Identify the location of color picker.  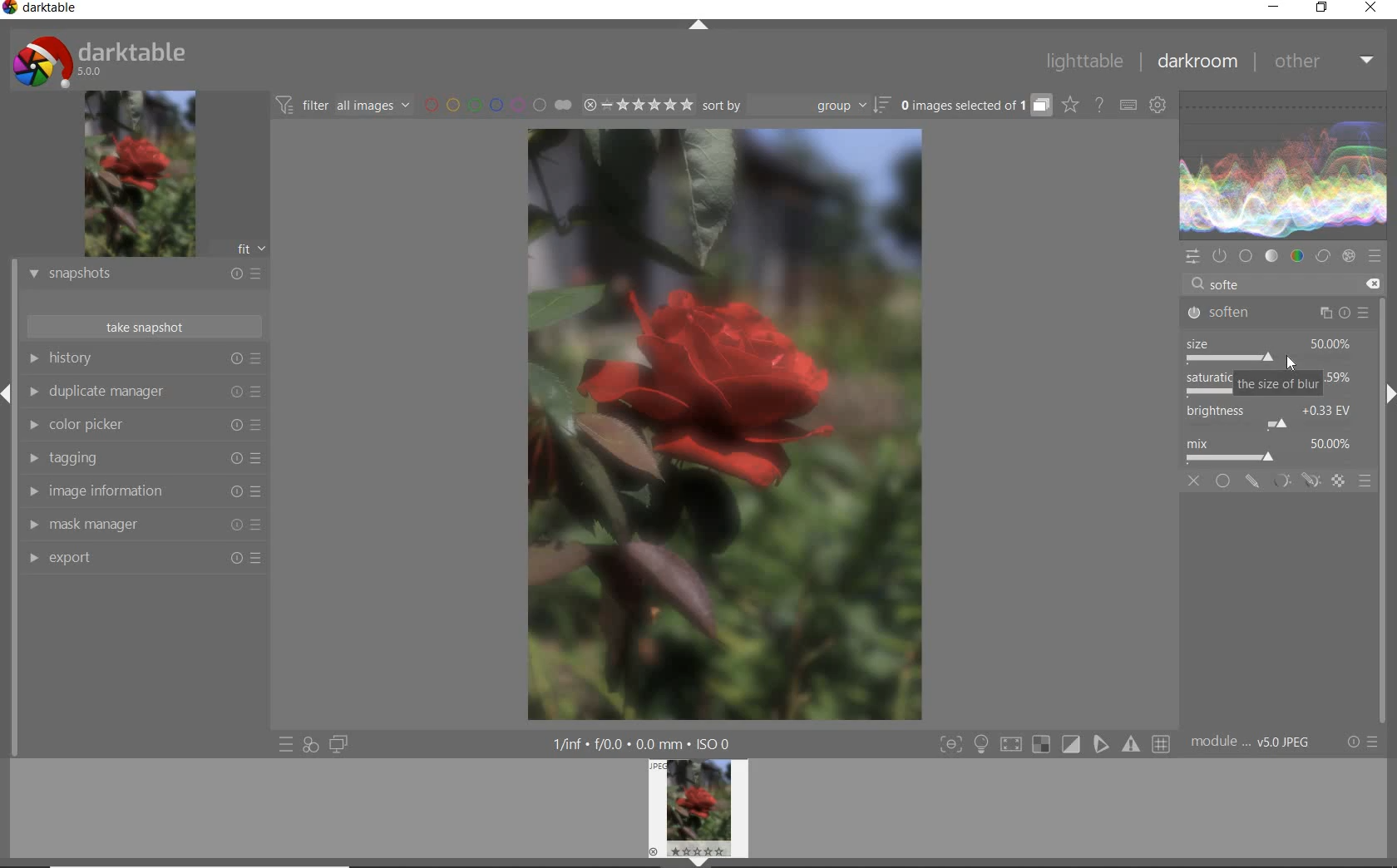
(144, 427).